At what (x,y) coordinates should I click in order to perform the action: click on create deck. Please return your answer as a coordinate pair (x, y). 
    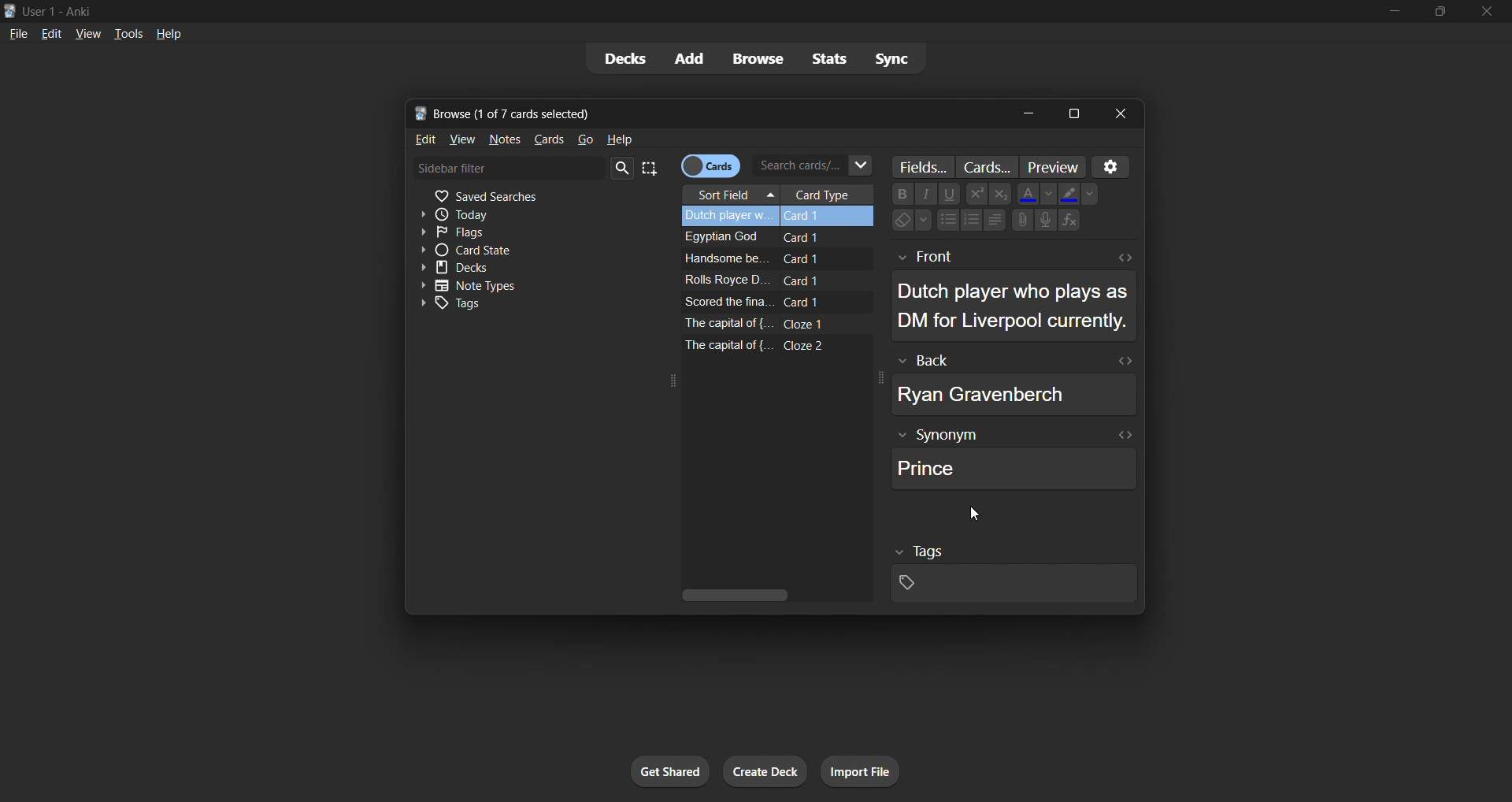
    Looking at the image, I should click on (769, 773).